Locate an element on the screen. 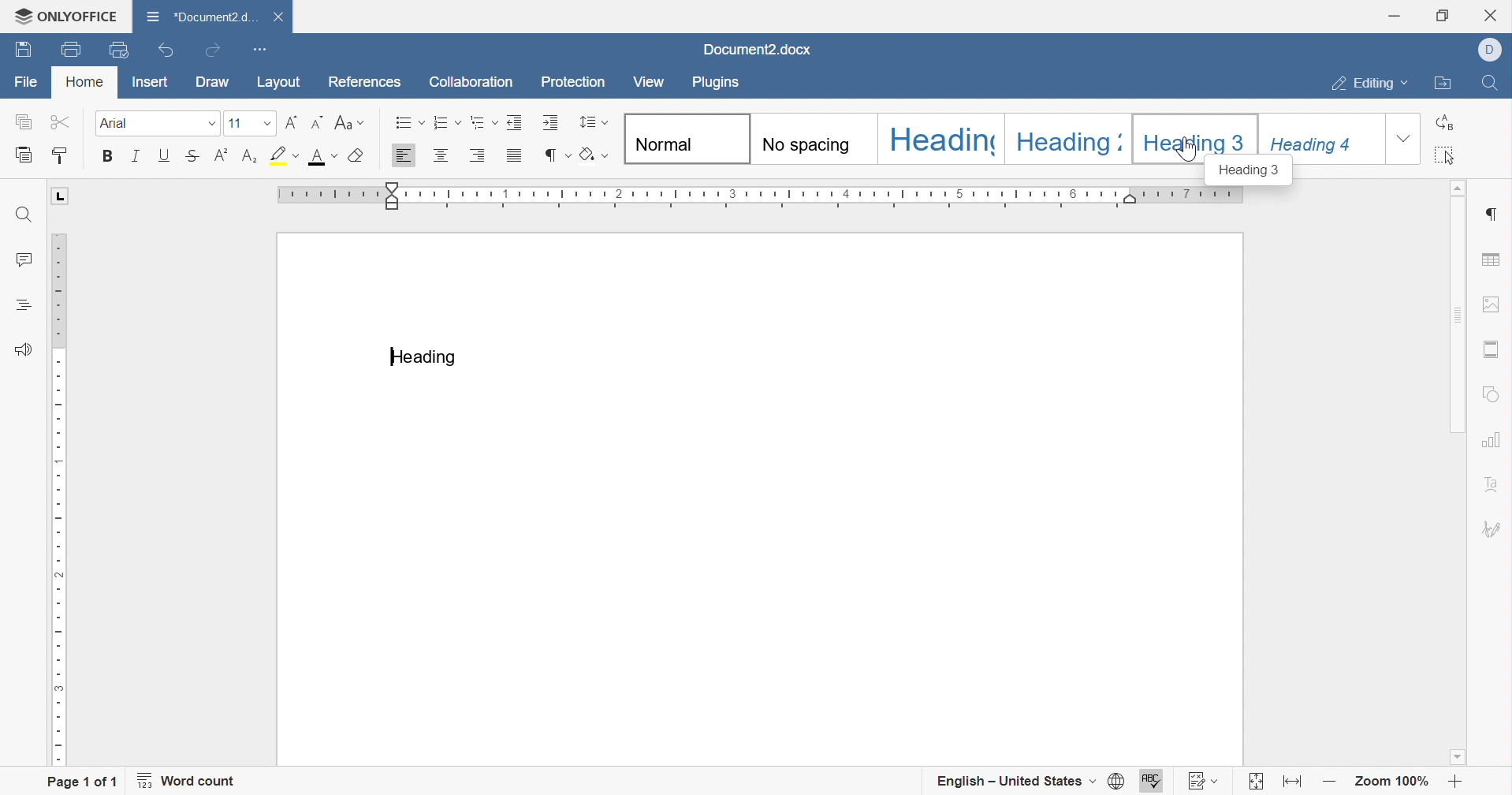 The width and height of the screenshot is (1512, 795). Shading is located at coordinates (592, 155).